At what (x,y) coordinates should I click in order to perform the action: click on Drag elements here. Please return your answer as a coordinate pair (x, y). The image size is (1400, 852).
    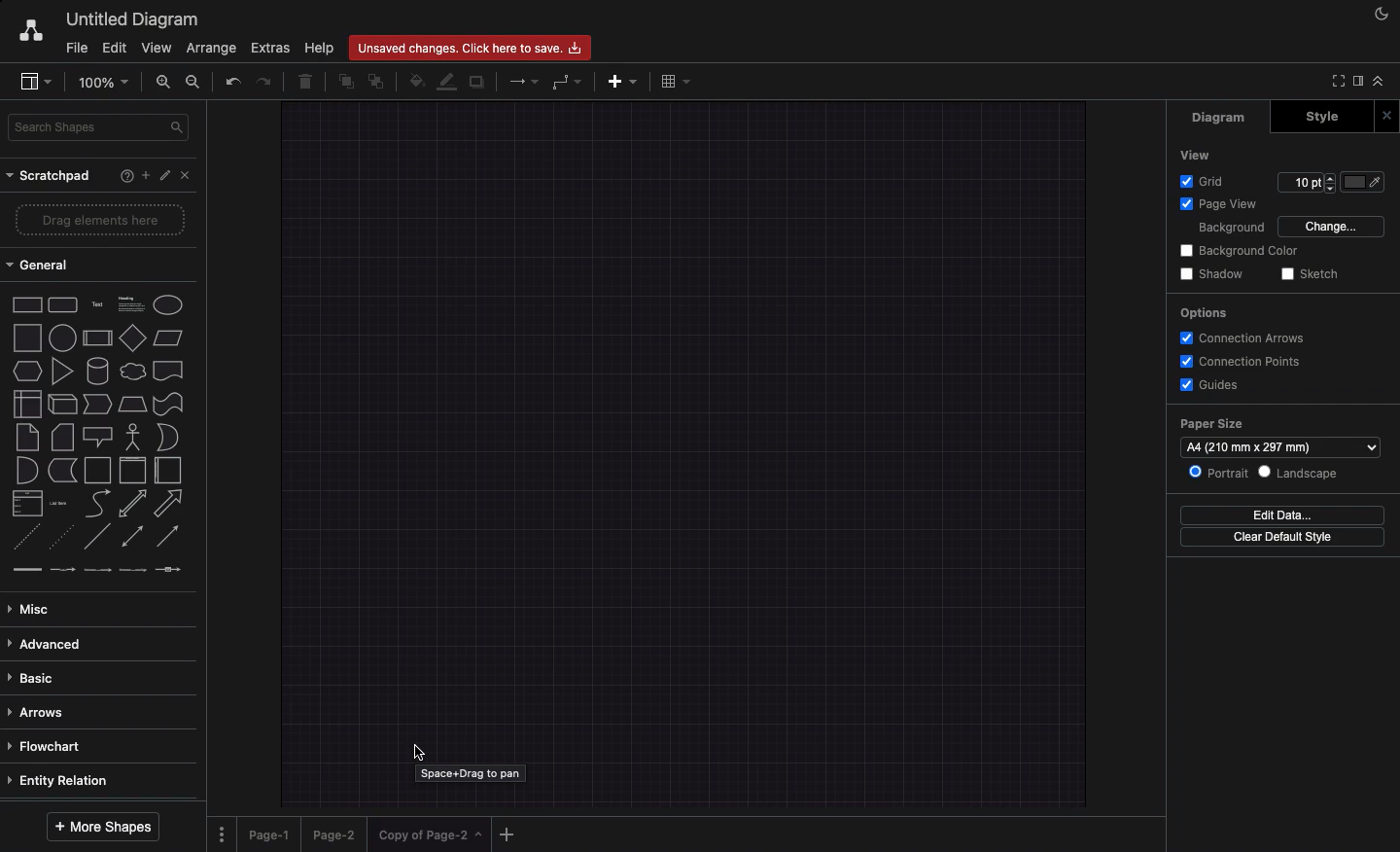
    Looking at the image, I should click on (101, 220).